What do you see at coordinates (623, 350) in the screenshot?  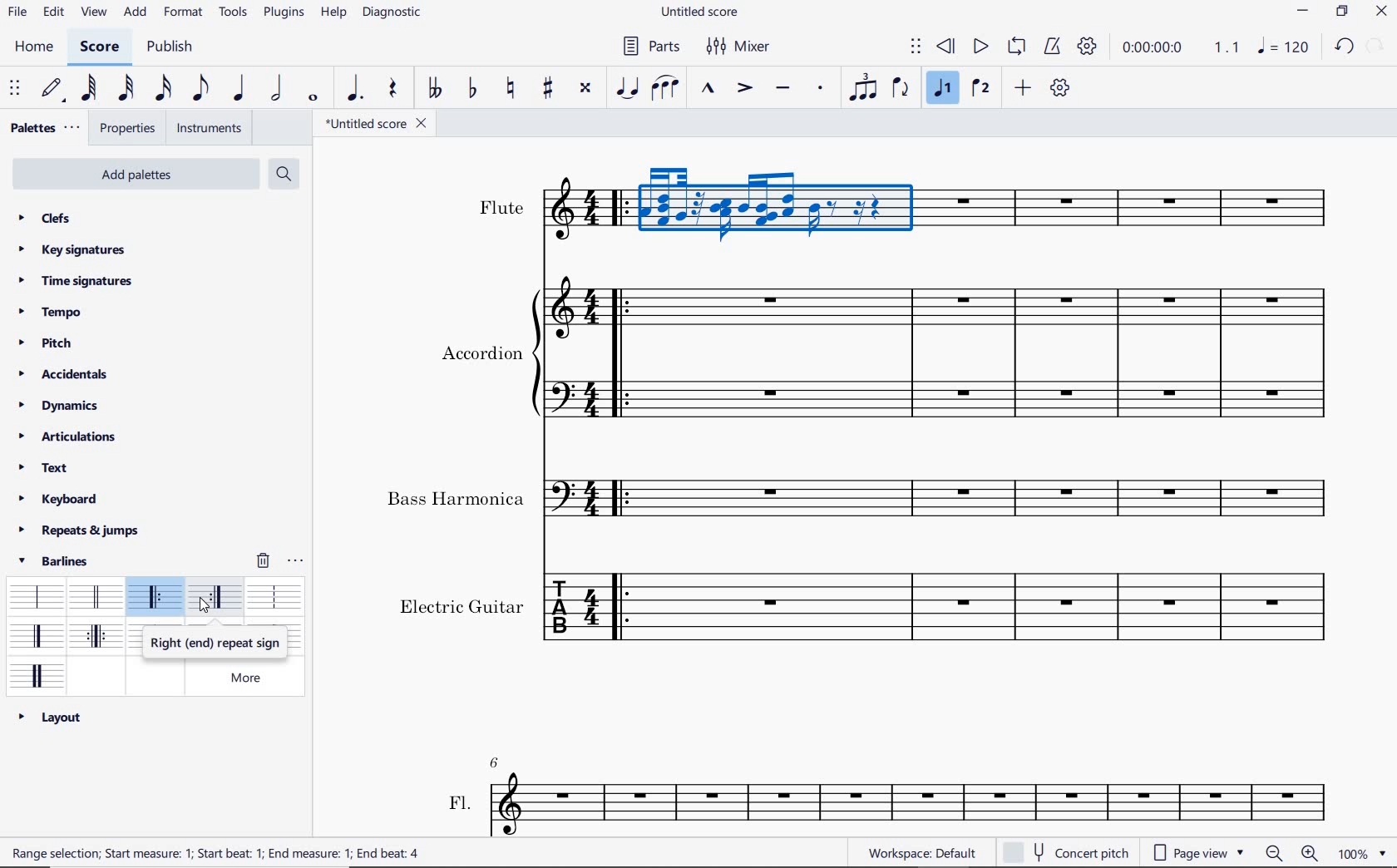 I see `left (start) repeat sign added` at bounding box center [623, 350].